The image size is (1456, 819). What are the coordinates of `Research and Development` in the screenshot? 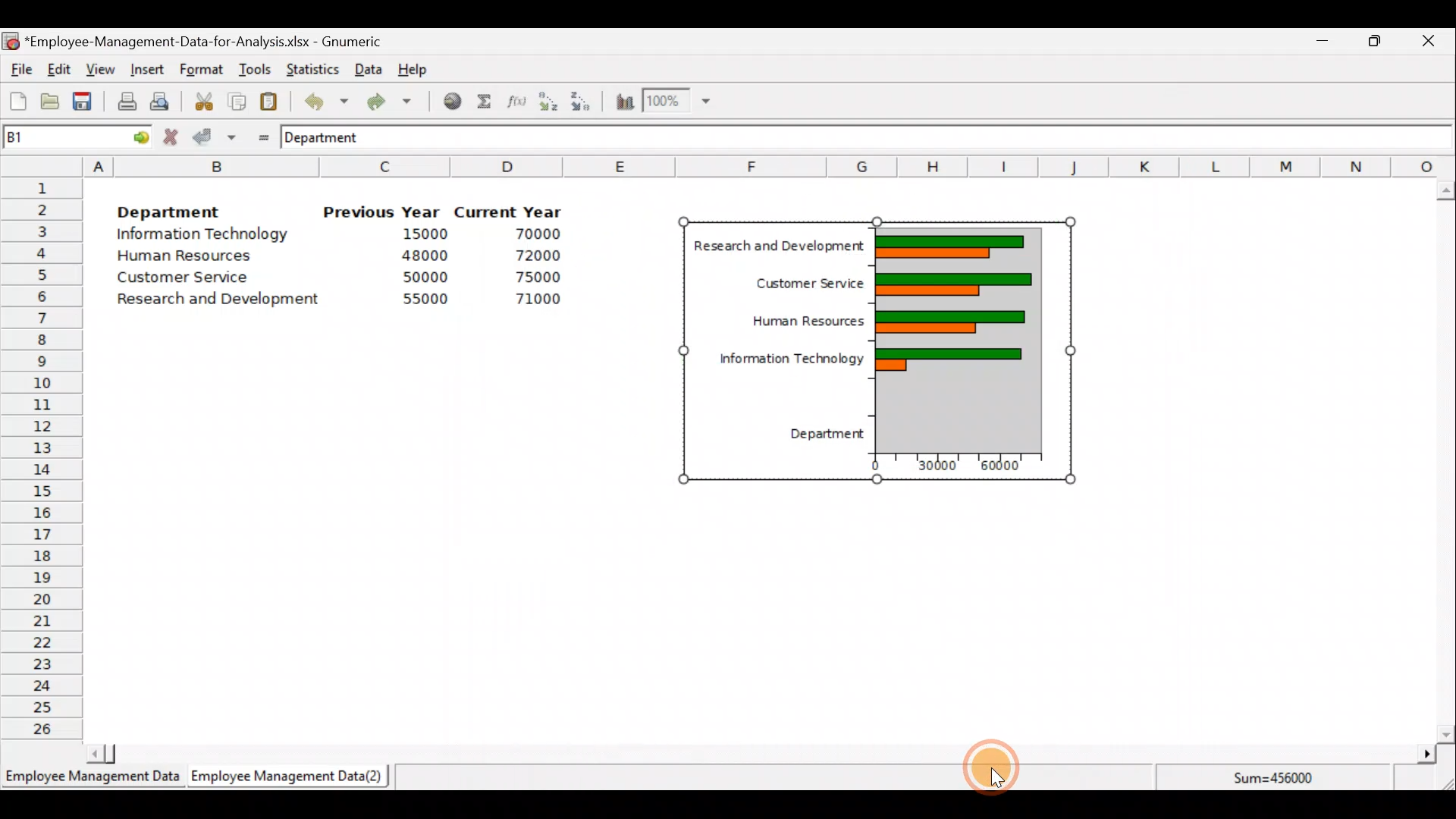 It's located at (224, 301).